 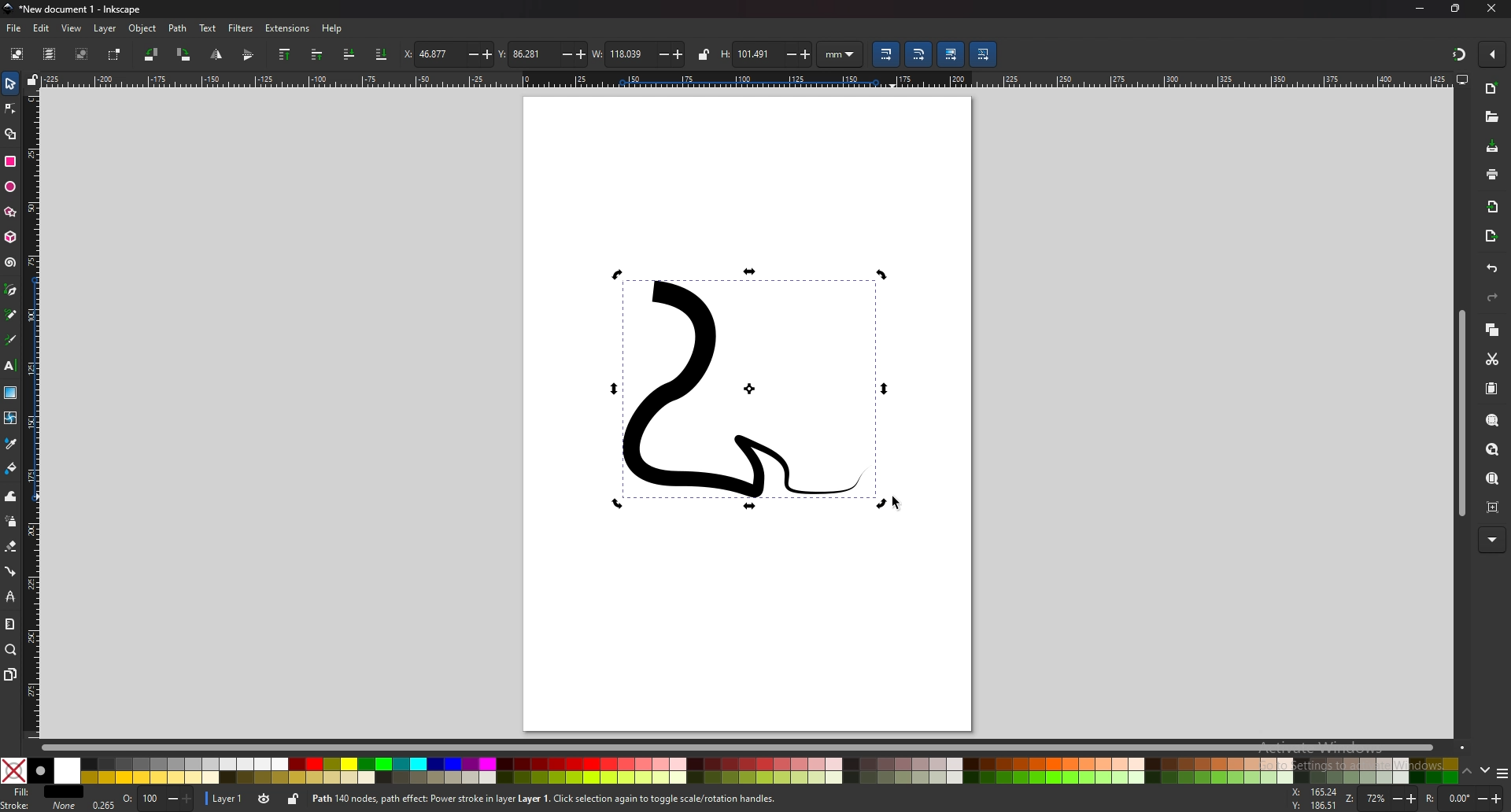 What do you see at coordinates (1420, 8) in the screenshot?
I see `minimize` at bounding box center [1420, 8].